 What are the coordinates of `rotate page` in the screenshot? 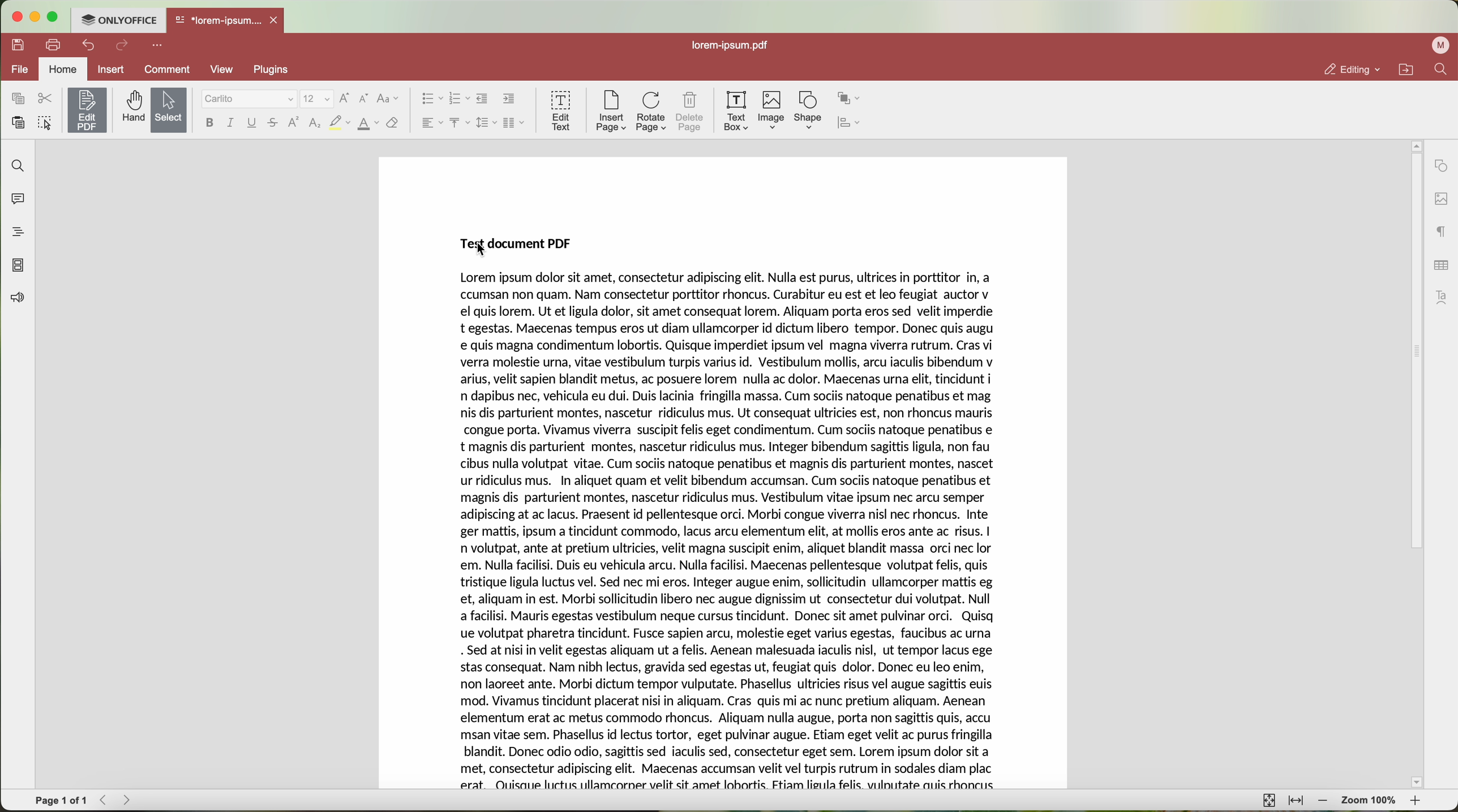 It's located at (652, 111).